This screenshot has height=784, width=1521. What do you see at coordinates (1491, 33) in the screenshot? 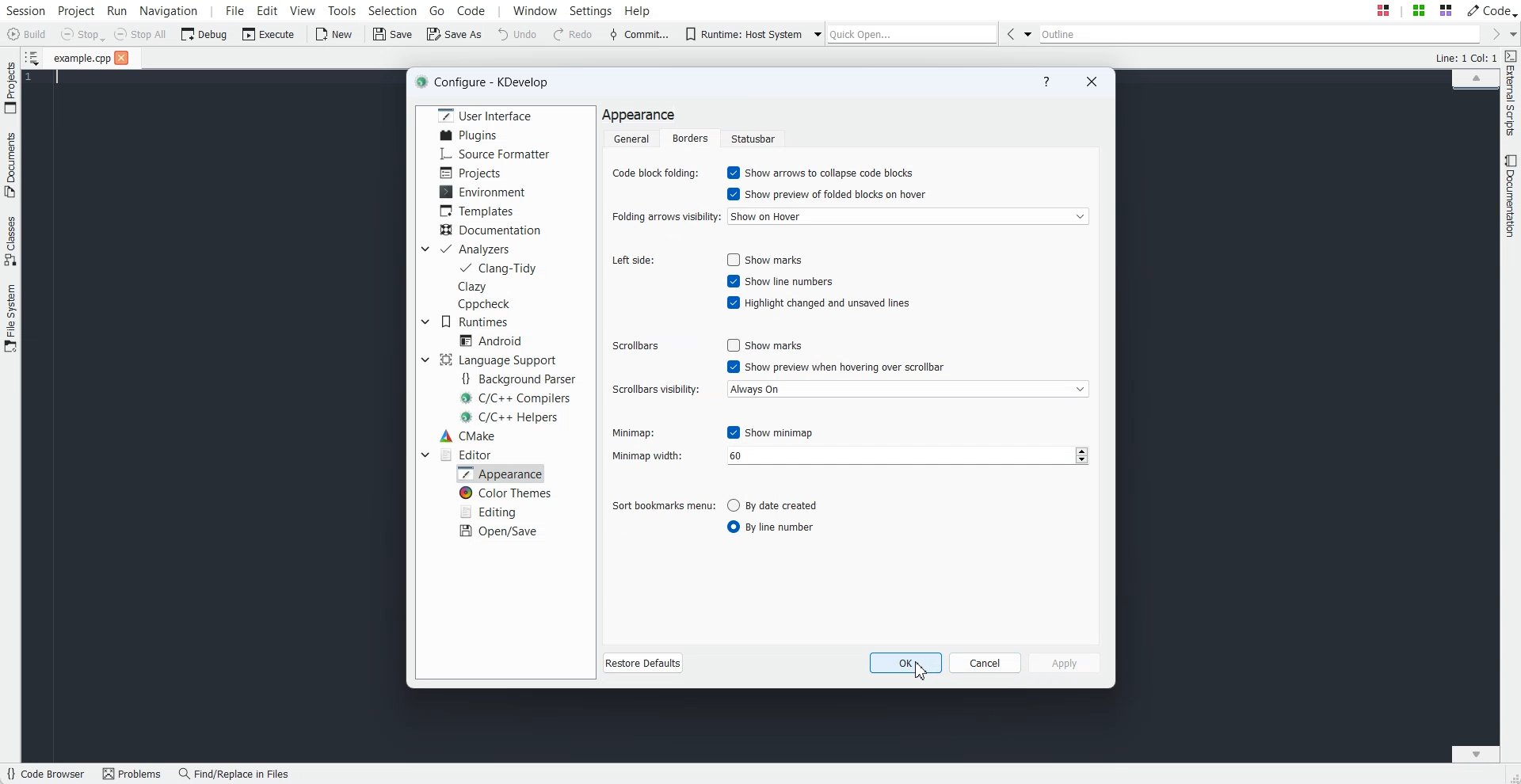
I see `Go Forward` at bounding box center [1491, 33].